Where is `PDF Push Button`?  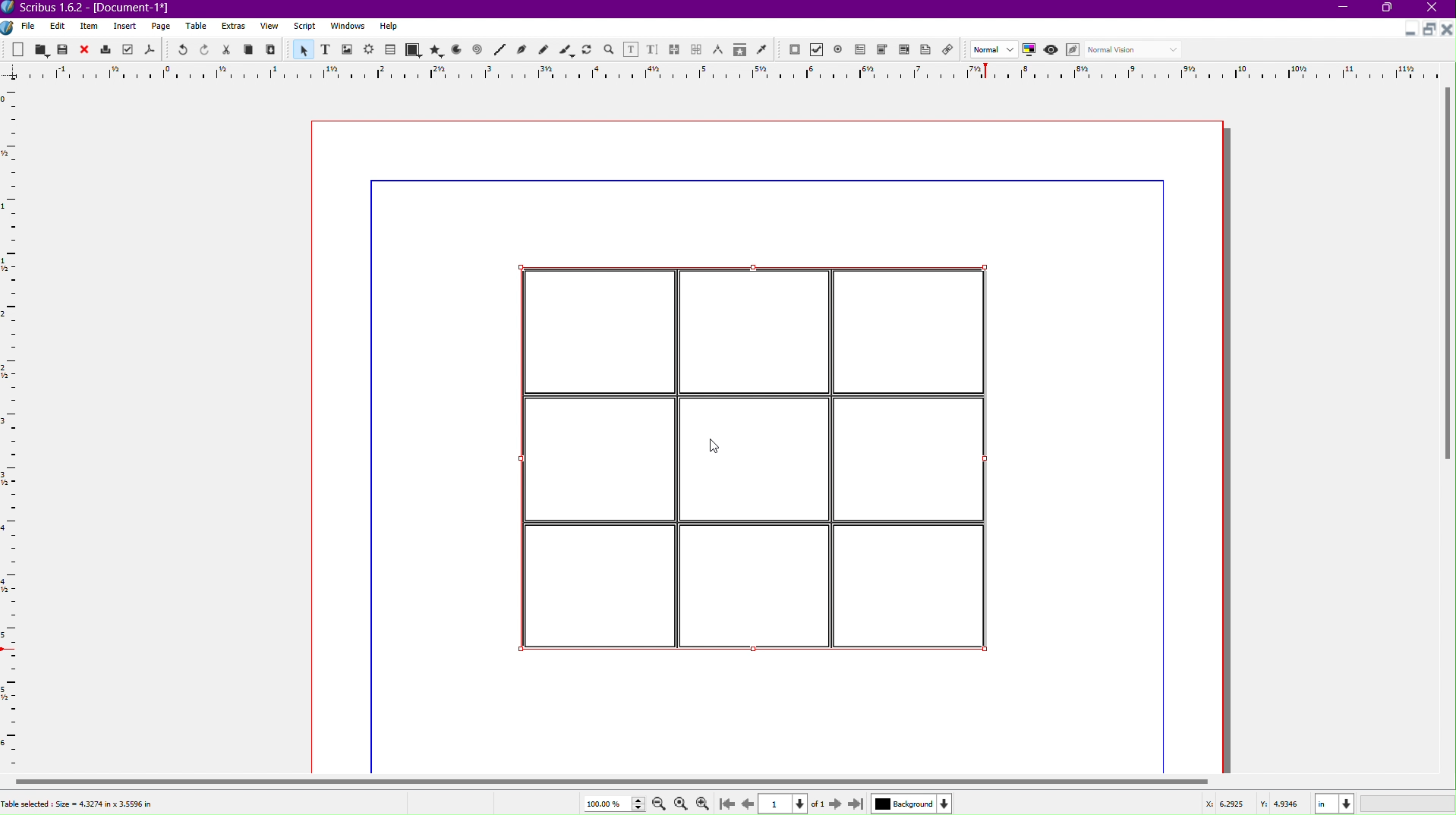 PDF Push Button is located at coordinates (794, 50).